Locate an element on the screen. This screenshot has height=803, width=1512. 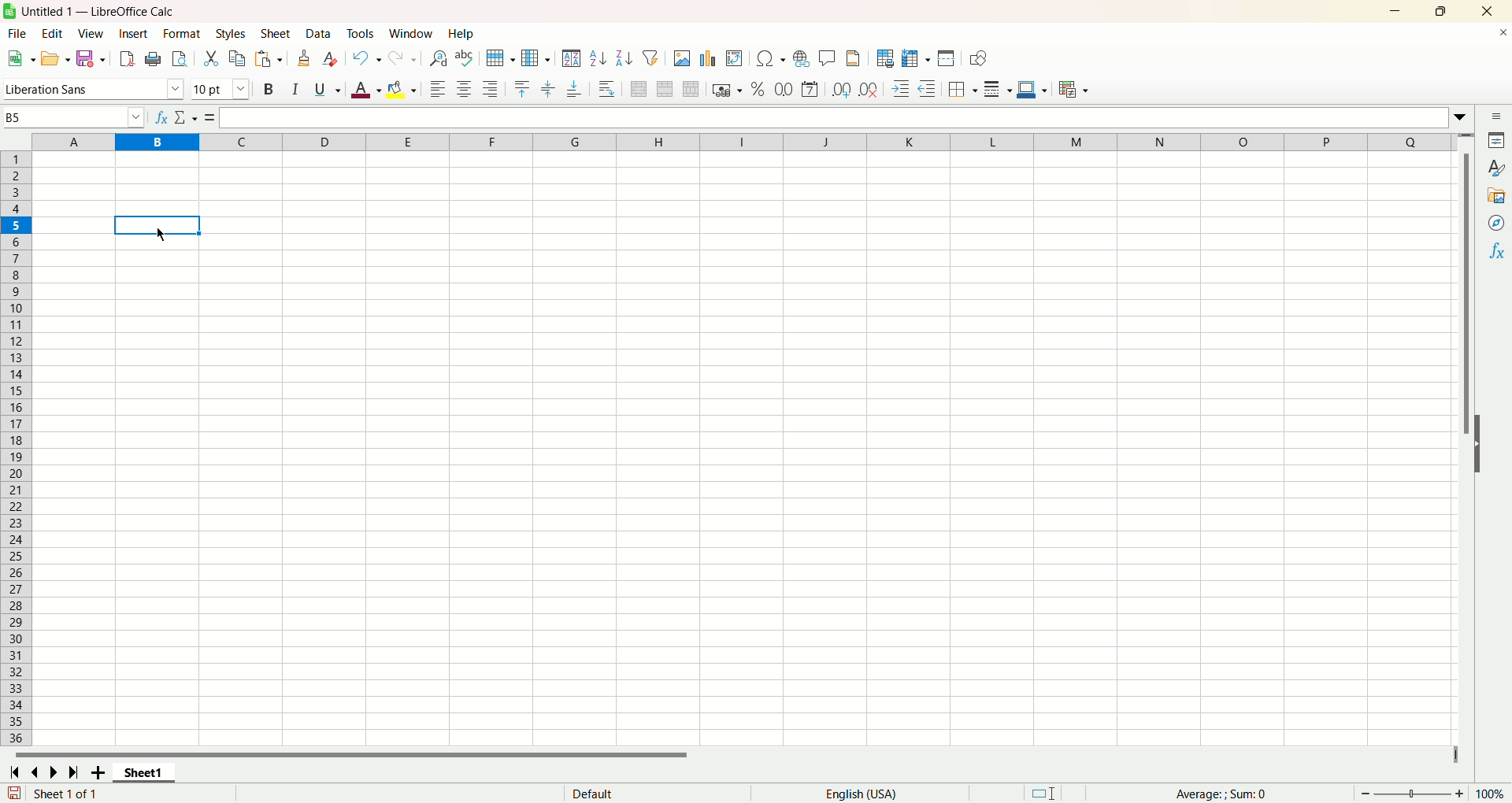
insert image is located at coordinates (683, 57).